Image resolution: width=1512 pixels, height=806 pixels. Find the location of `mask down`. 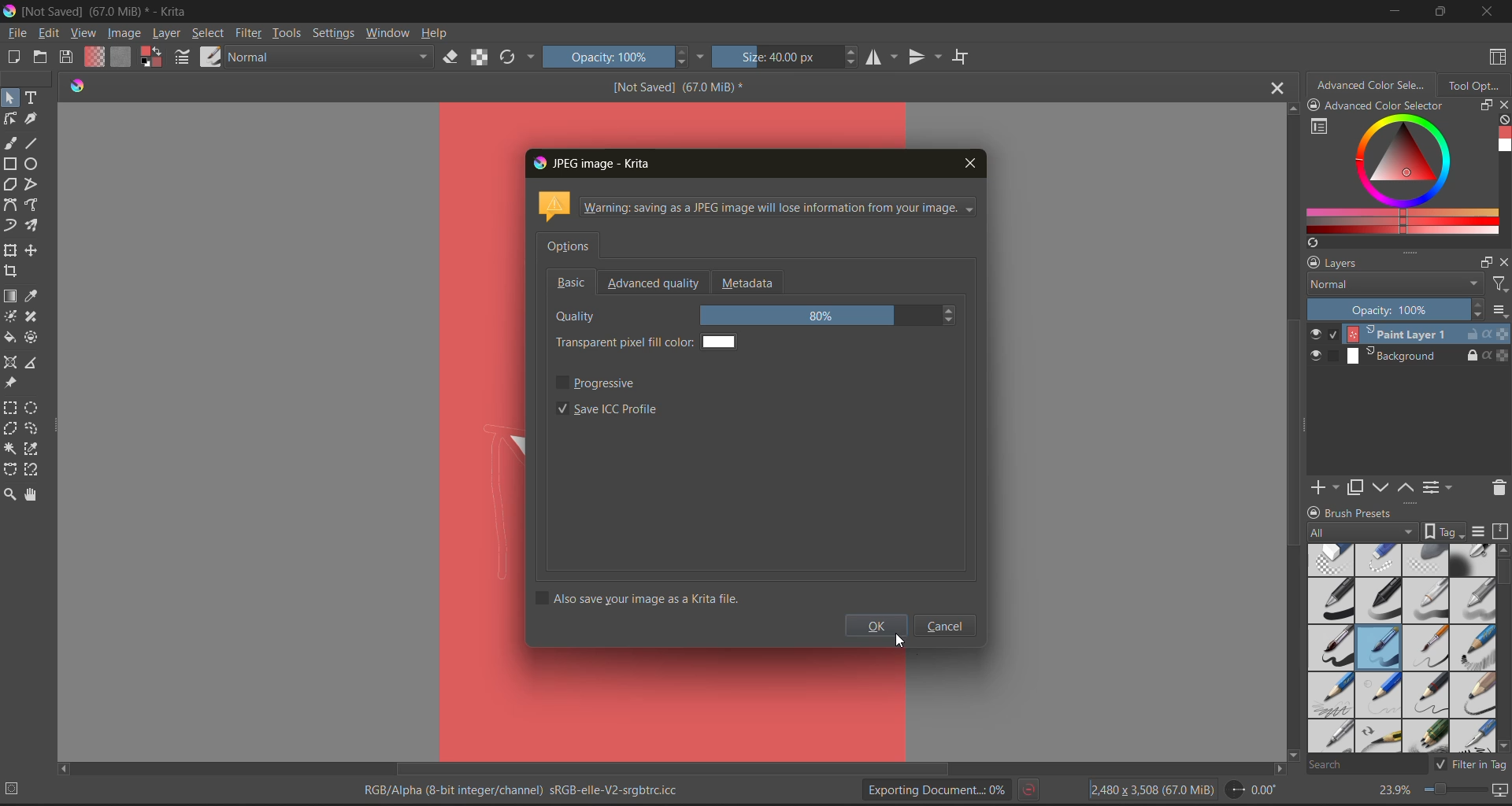

mask down is located at coordinates (1384, 487).